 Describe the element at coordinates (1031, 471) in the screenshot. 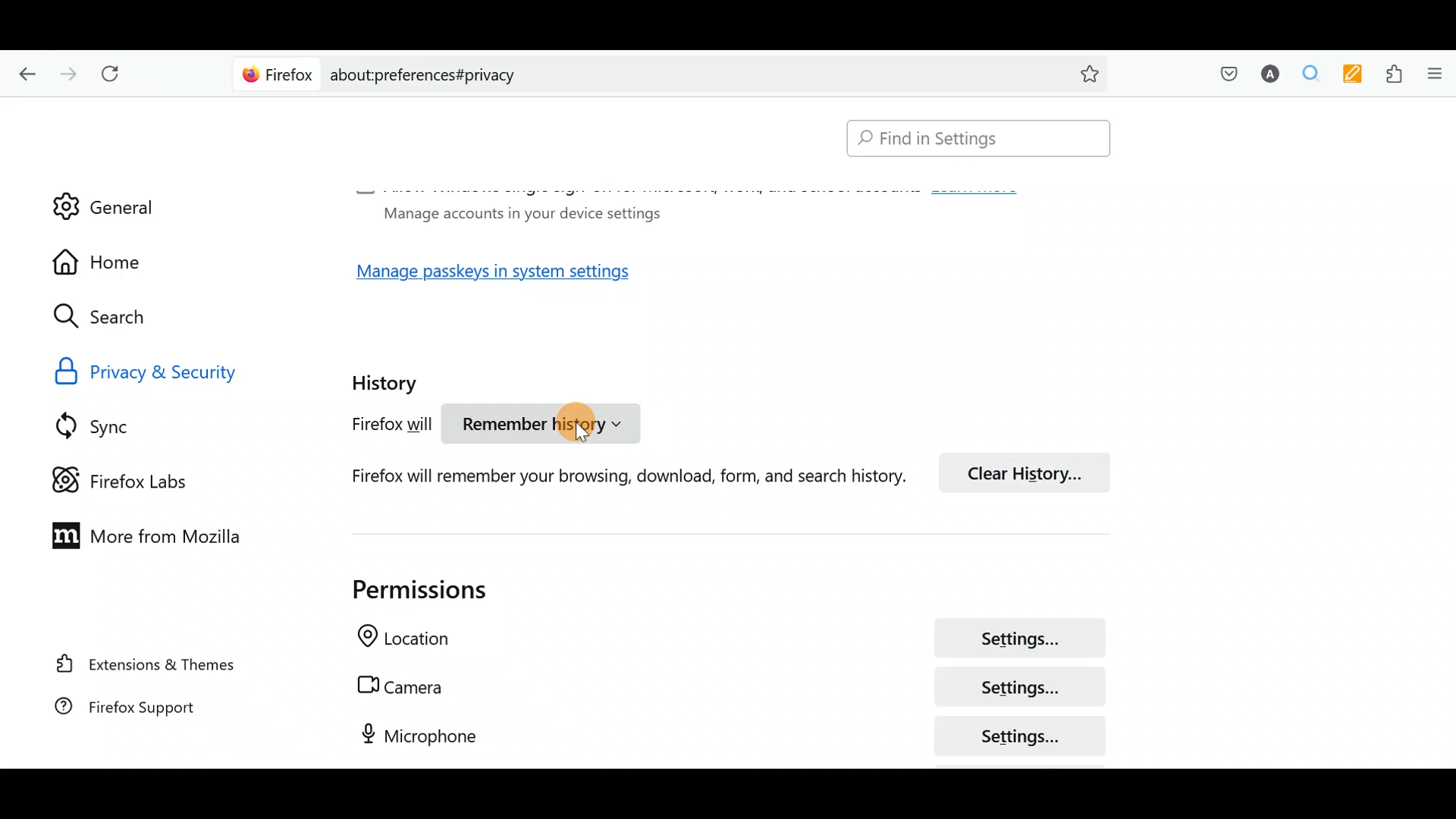

I see `Clear history` at that location.